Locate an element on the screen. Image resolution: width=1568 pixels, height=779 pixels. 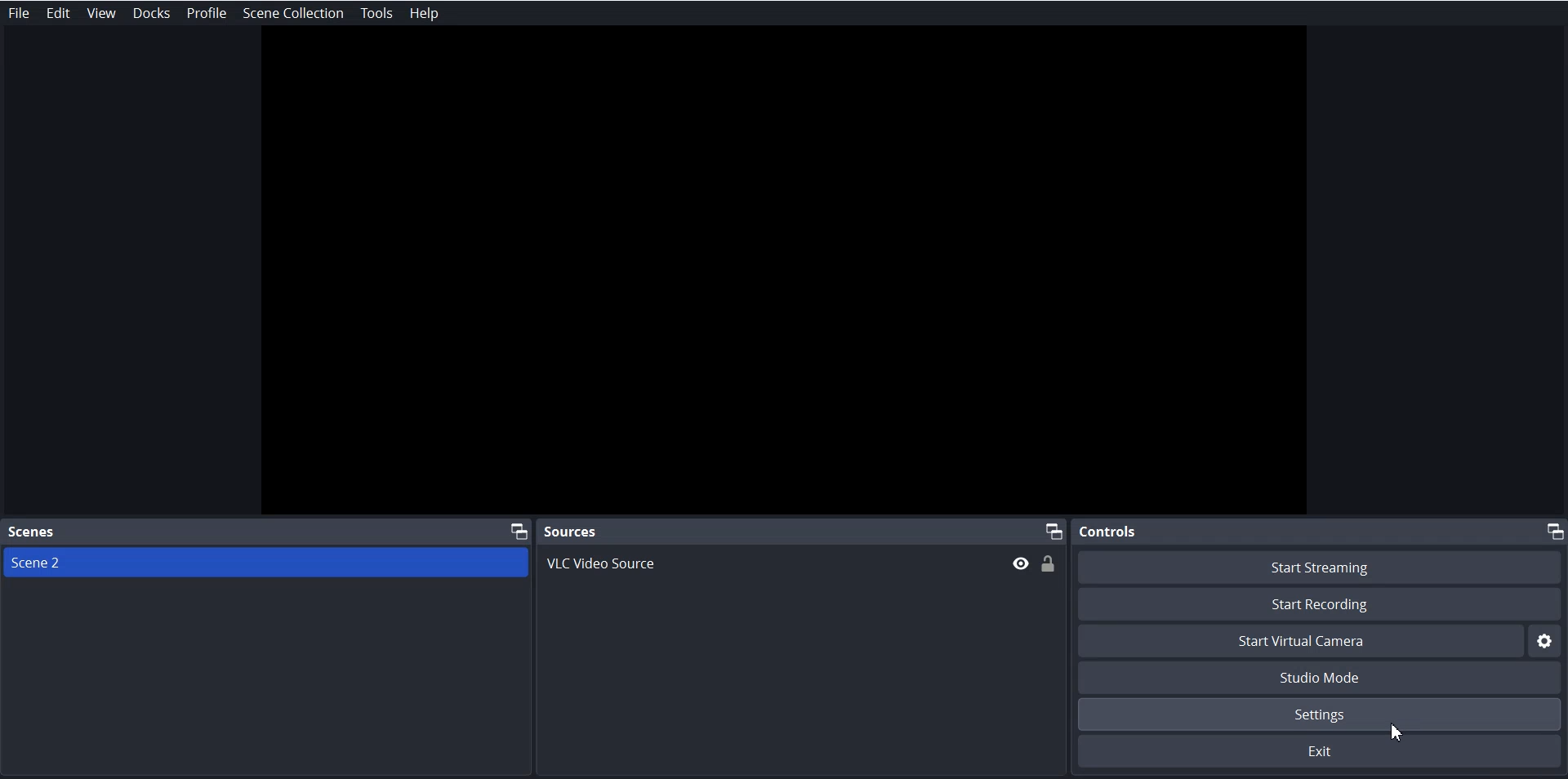
Scene Collection is located at coordinates (293, 12).